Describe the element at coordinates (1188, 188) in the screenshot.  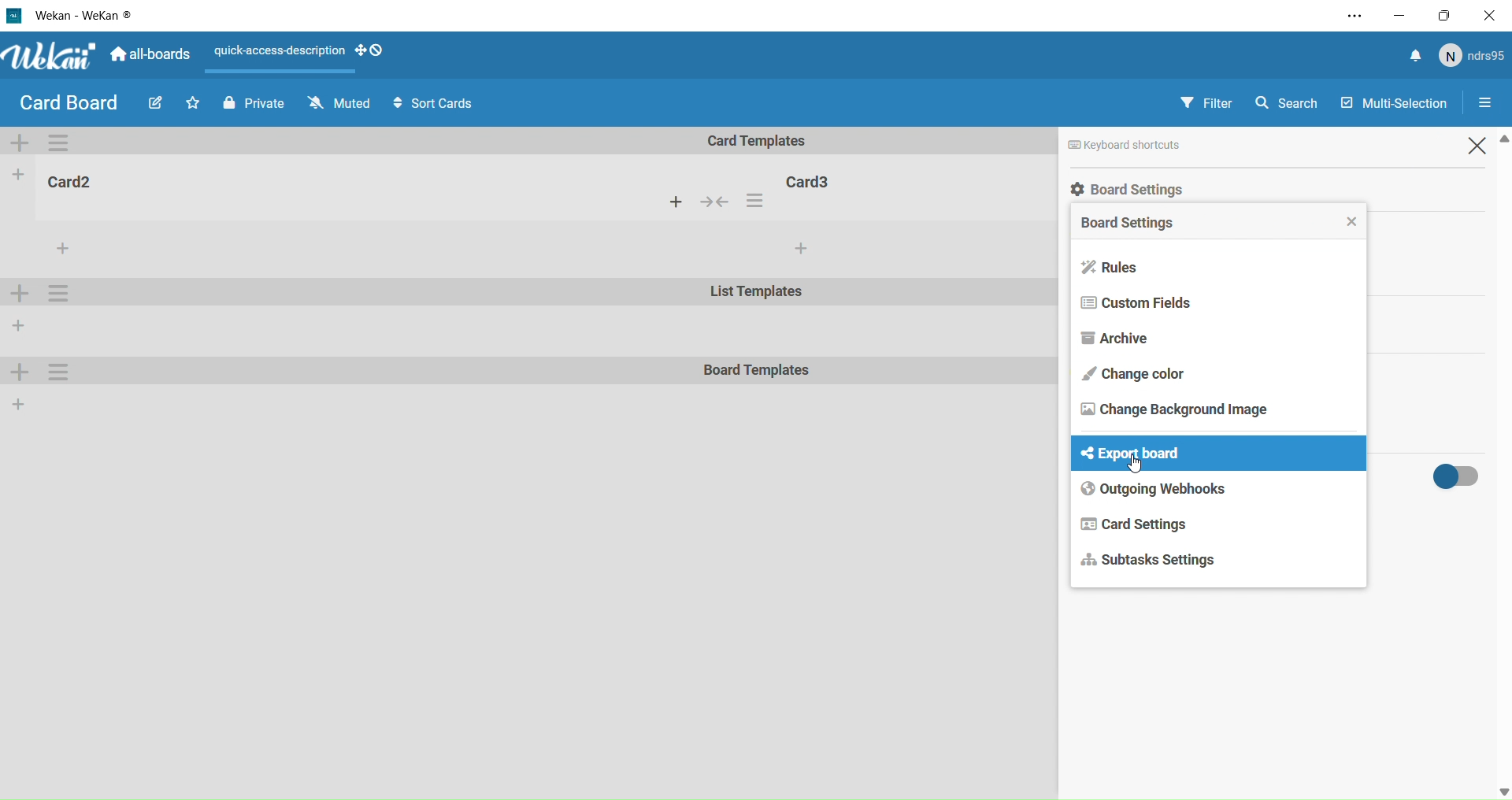
I see `Board settings` at that location.